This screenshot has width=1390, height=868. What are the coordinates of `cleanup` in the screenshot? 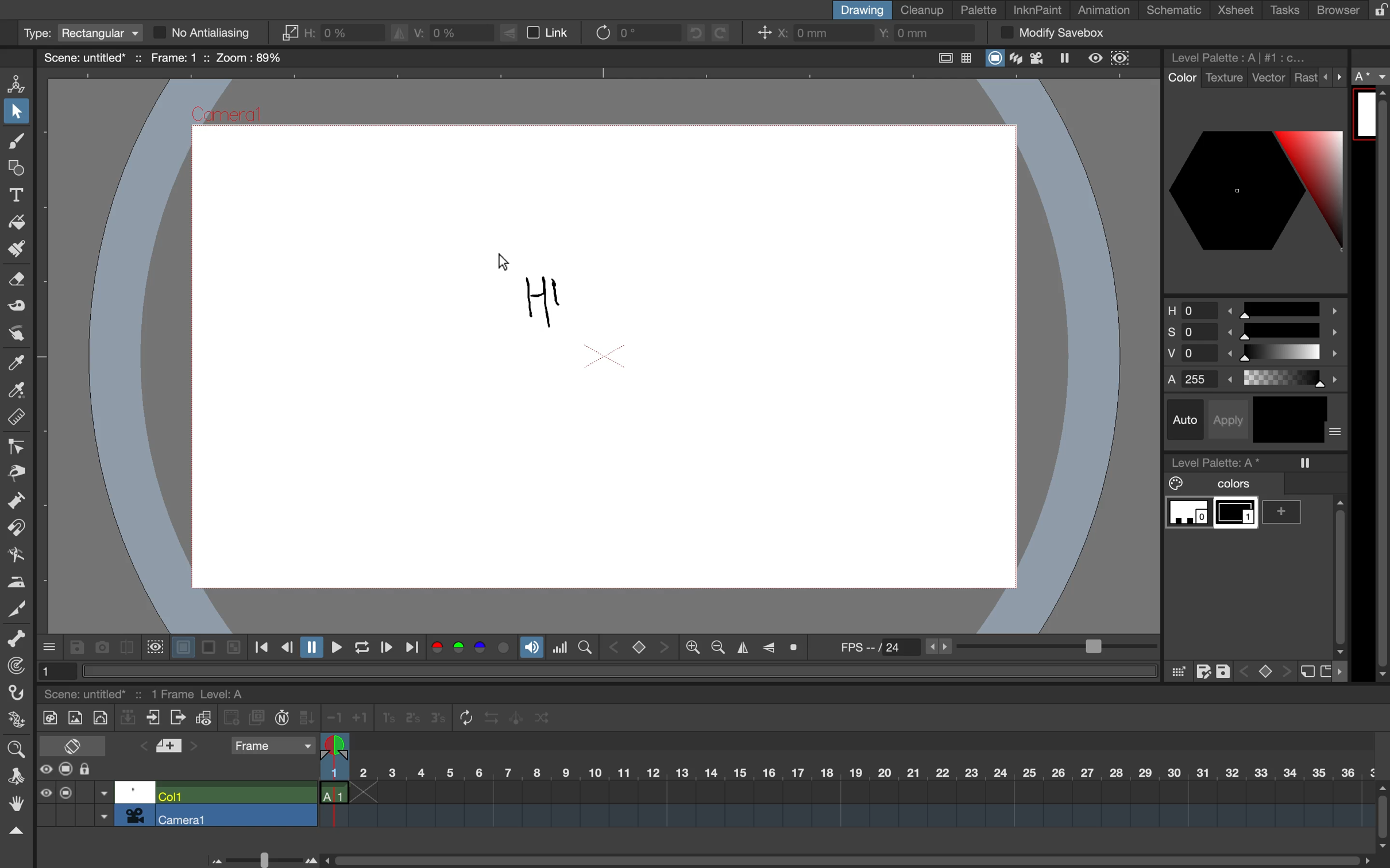 It's located at (923, 9).